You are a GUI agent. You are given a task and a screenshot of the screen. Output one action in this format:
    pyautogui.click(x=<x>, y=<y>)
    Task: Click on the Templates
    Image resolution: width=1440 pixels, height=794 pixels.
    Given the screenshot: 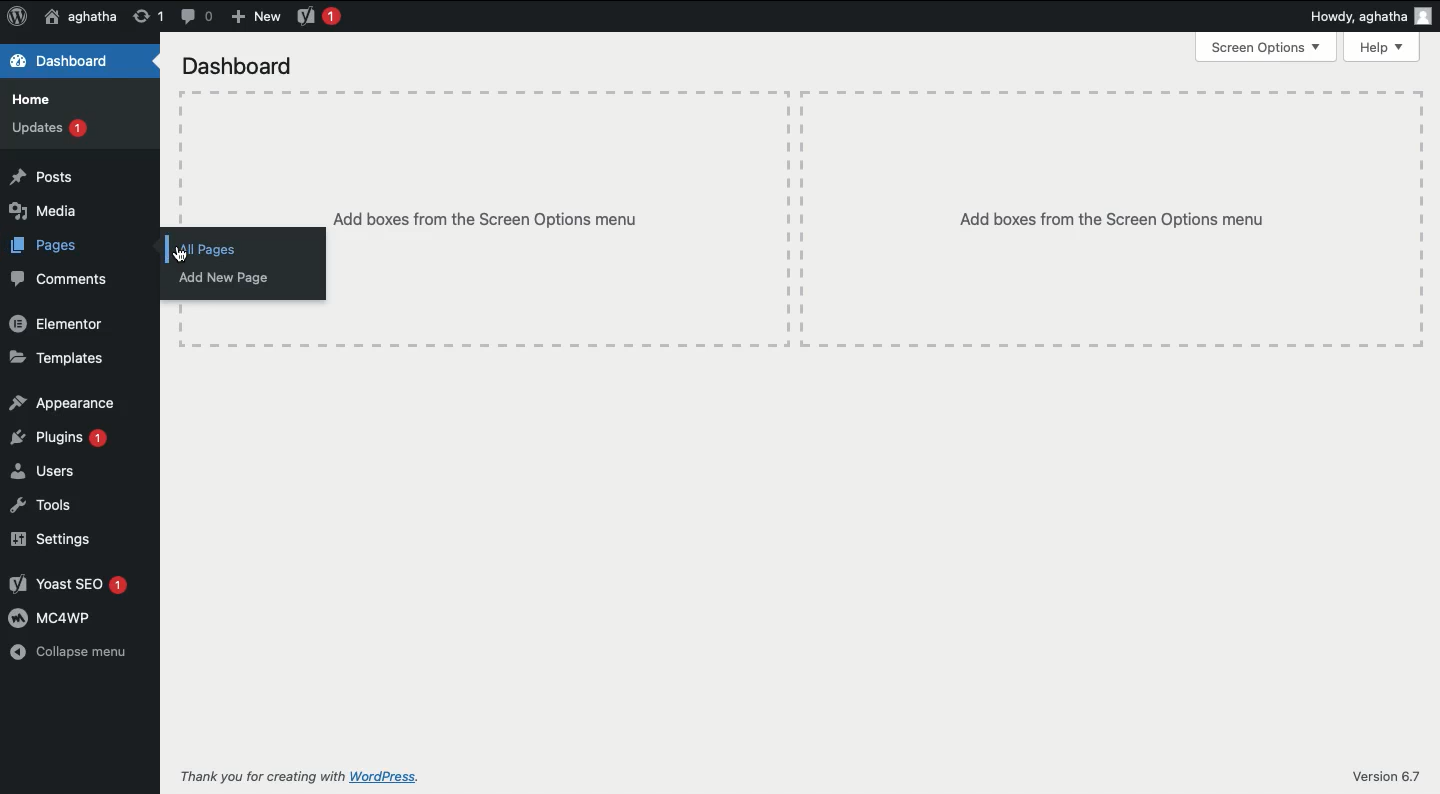 What is the action you would take?
    pyautogui.click(x=55, y=360)
    